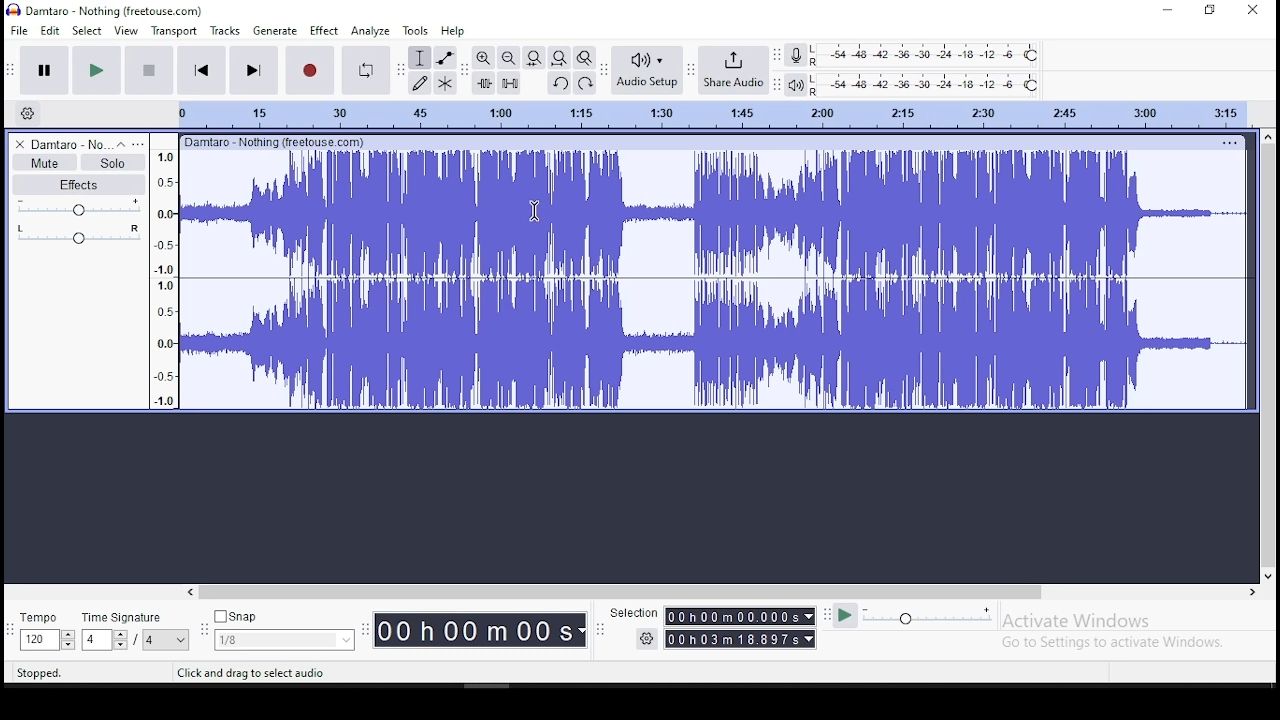  What do you see at coordinates (416, 30) in the screenshot?
I see `tools` at bounding box center [416, 30].